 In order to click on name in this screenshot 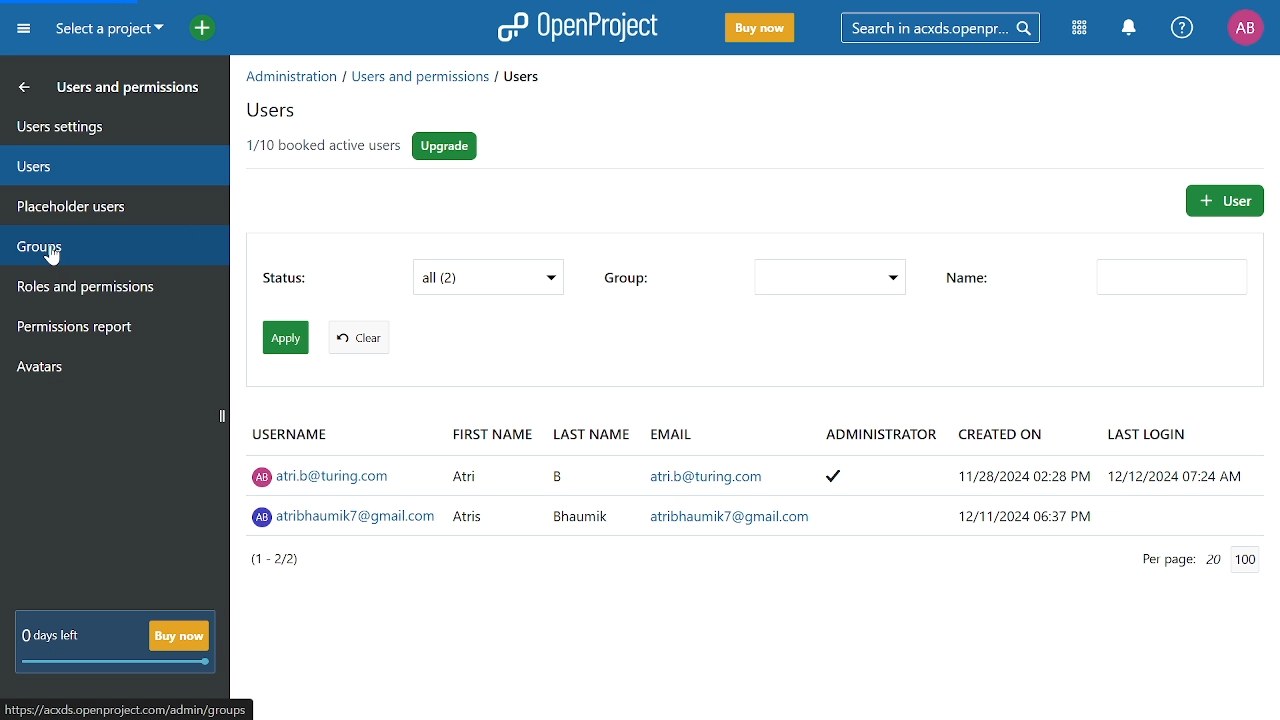, I will do `click(1174, 278)`.